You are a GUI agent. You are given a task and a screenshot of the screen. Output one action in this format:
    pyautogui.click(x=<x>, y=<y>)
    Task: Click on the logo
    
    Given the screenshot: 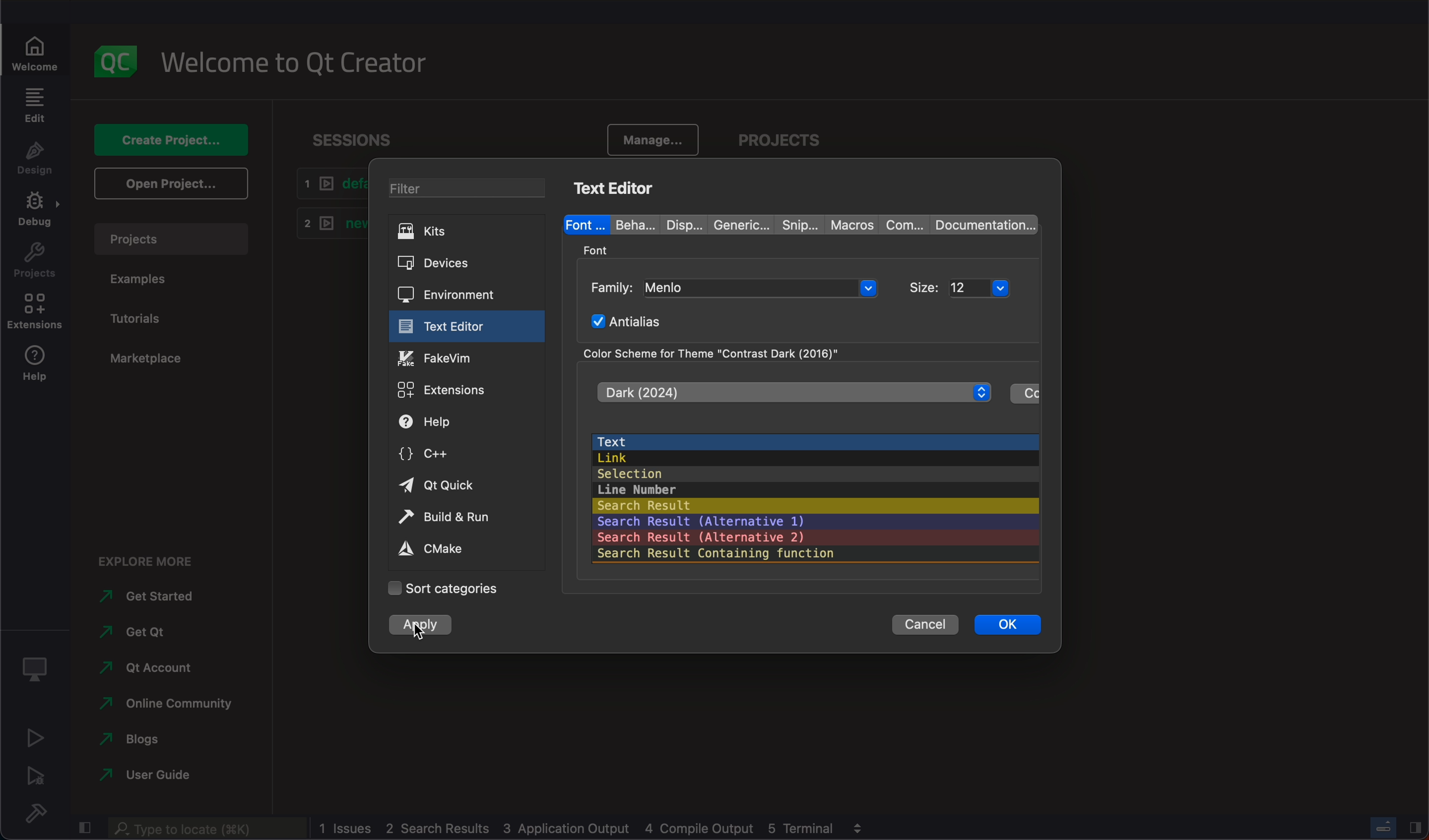 What is the action you would take?
    pyautogui.click(x=120, y=62)
    